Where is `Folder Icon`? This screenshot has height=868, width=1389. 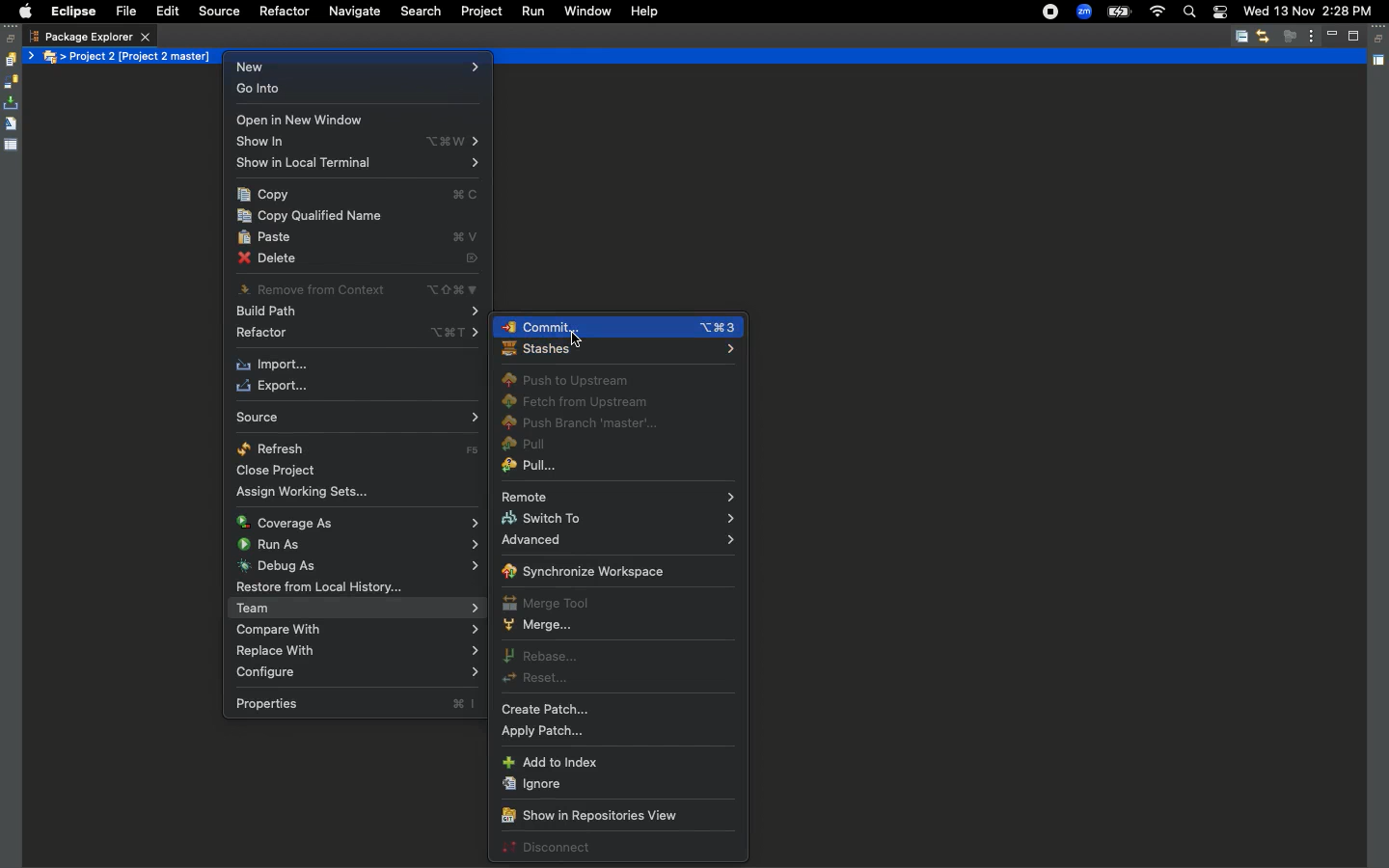
Folder Icon is located at coordinates (53, 58).